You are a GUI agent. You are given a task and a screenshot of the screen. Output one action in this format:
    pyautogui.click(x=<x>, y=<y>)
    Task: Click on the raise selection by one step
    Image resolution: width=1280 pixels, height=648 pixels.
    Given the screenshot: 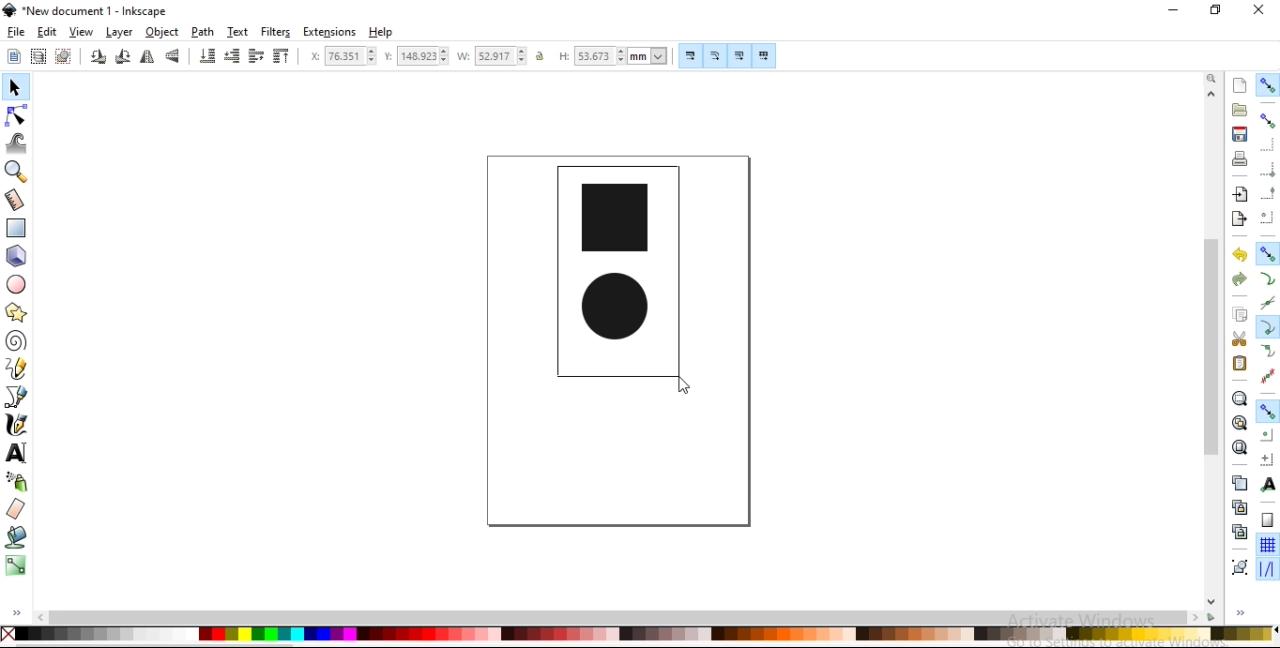 What is the action you would take?
    pyautogui.click(x=257, y=59)
    